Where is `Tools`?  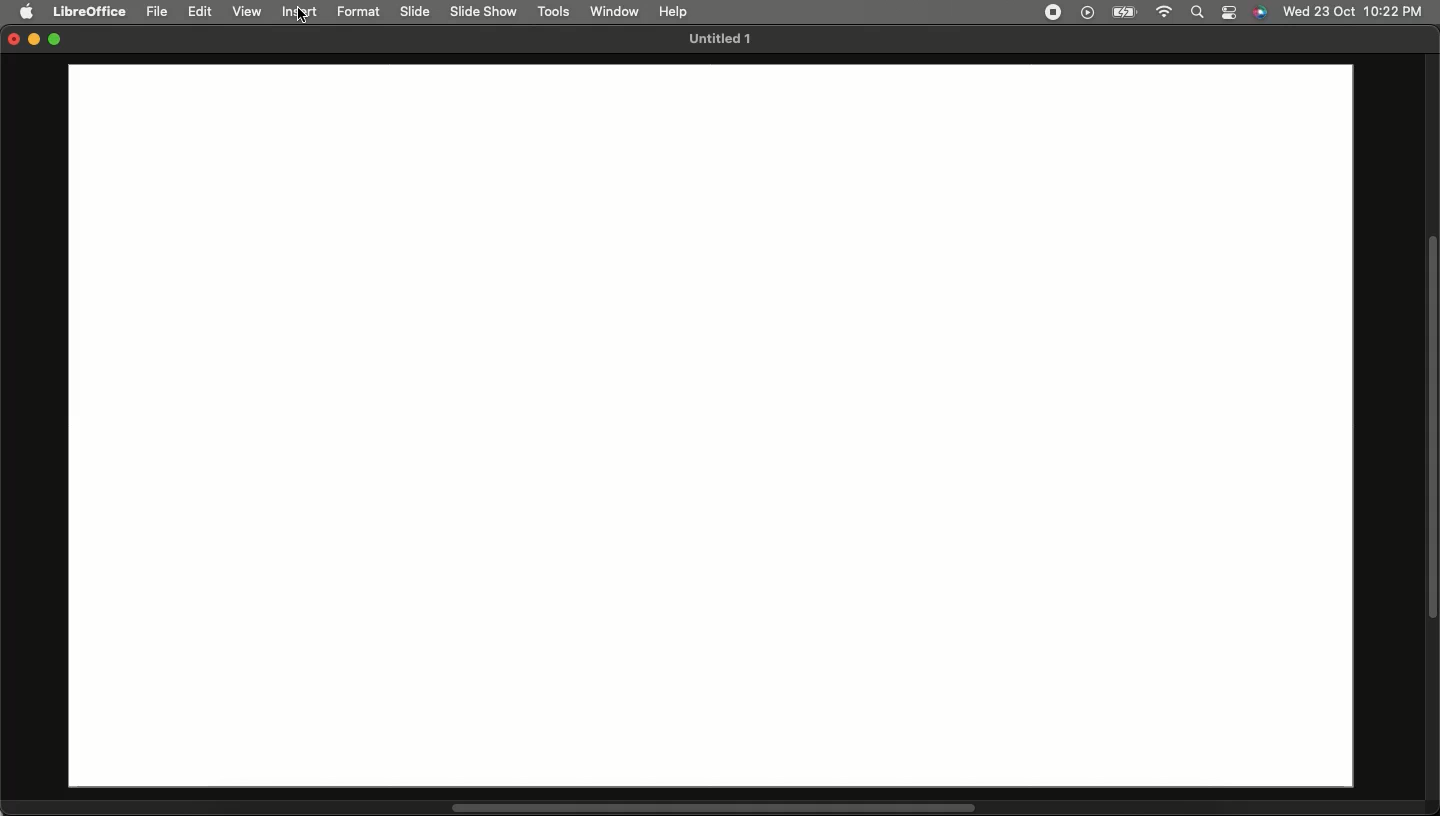
Tools is located at coordinates (555, 12).